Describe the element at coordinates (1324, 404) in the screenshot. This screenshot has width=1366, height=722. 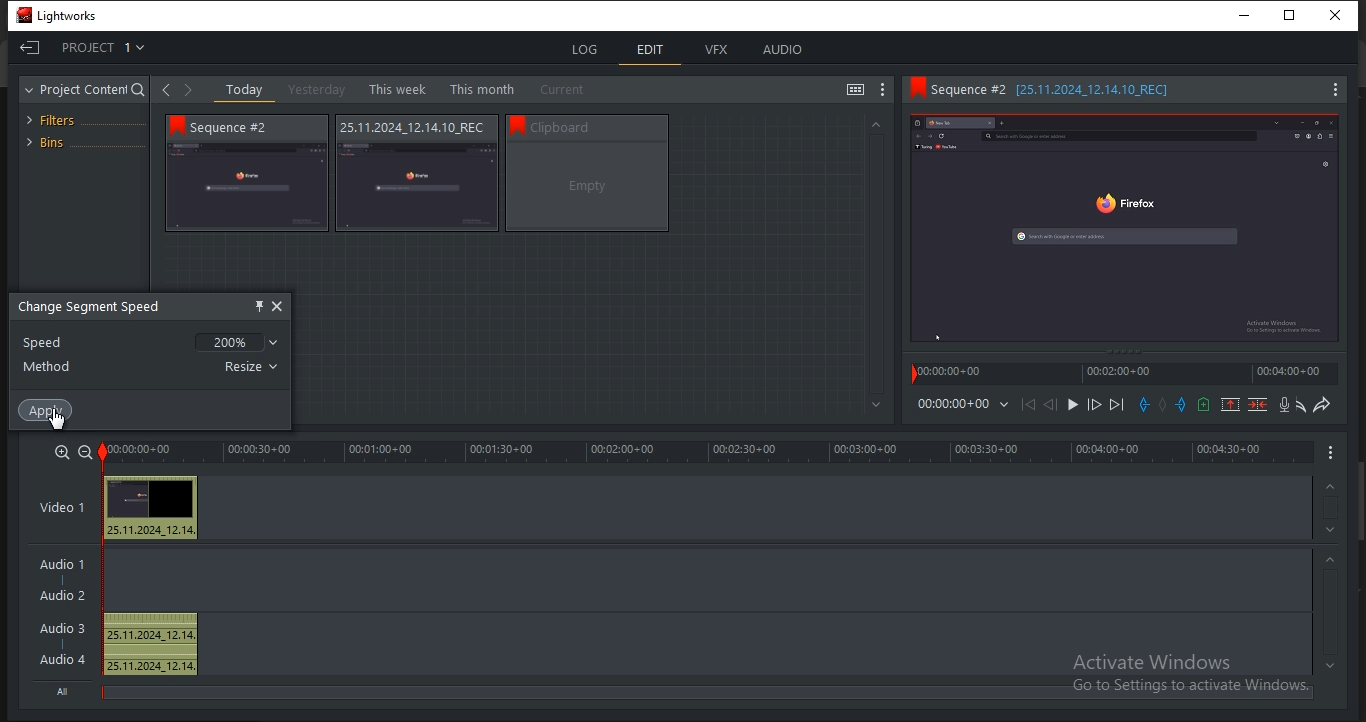
I see `redo` at that location.